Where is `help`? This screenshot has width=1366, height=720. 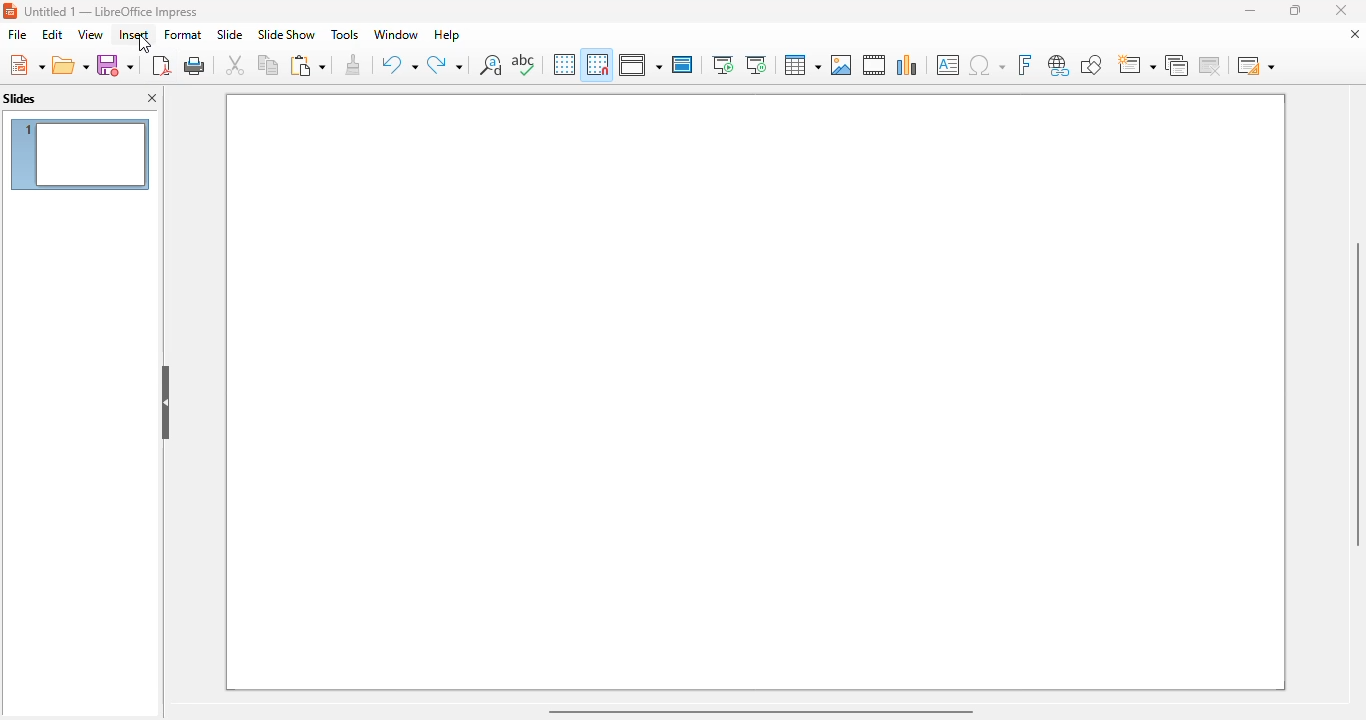 help is located at coordinates (447, 34).